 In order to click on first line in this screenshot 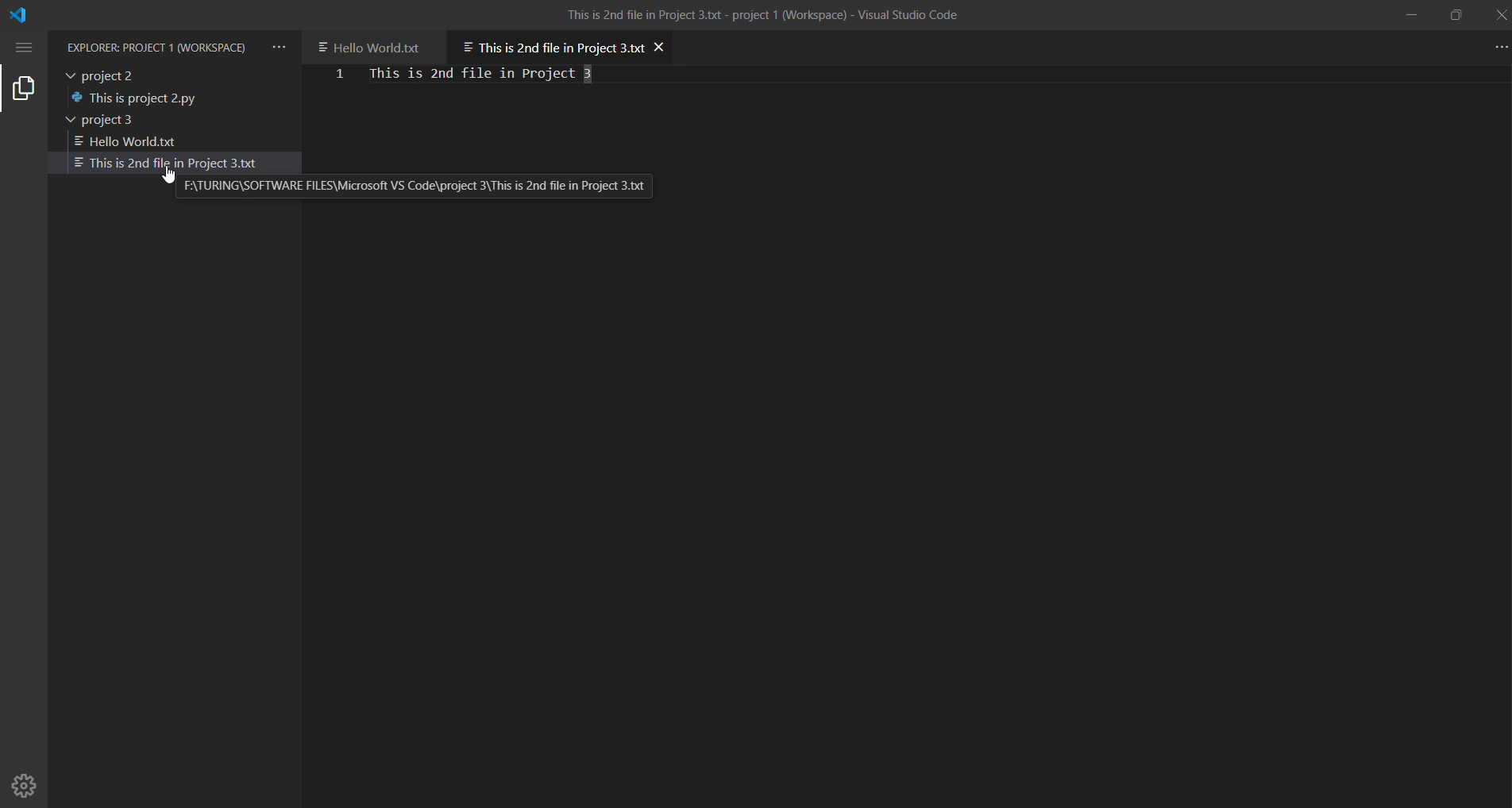, I will do `click(340, 76)`.